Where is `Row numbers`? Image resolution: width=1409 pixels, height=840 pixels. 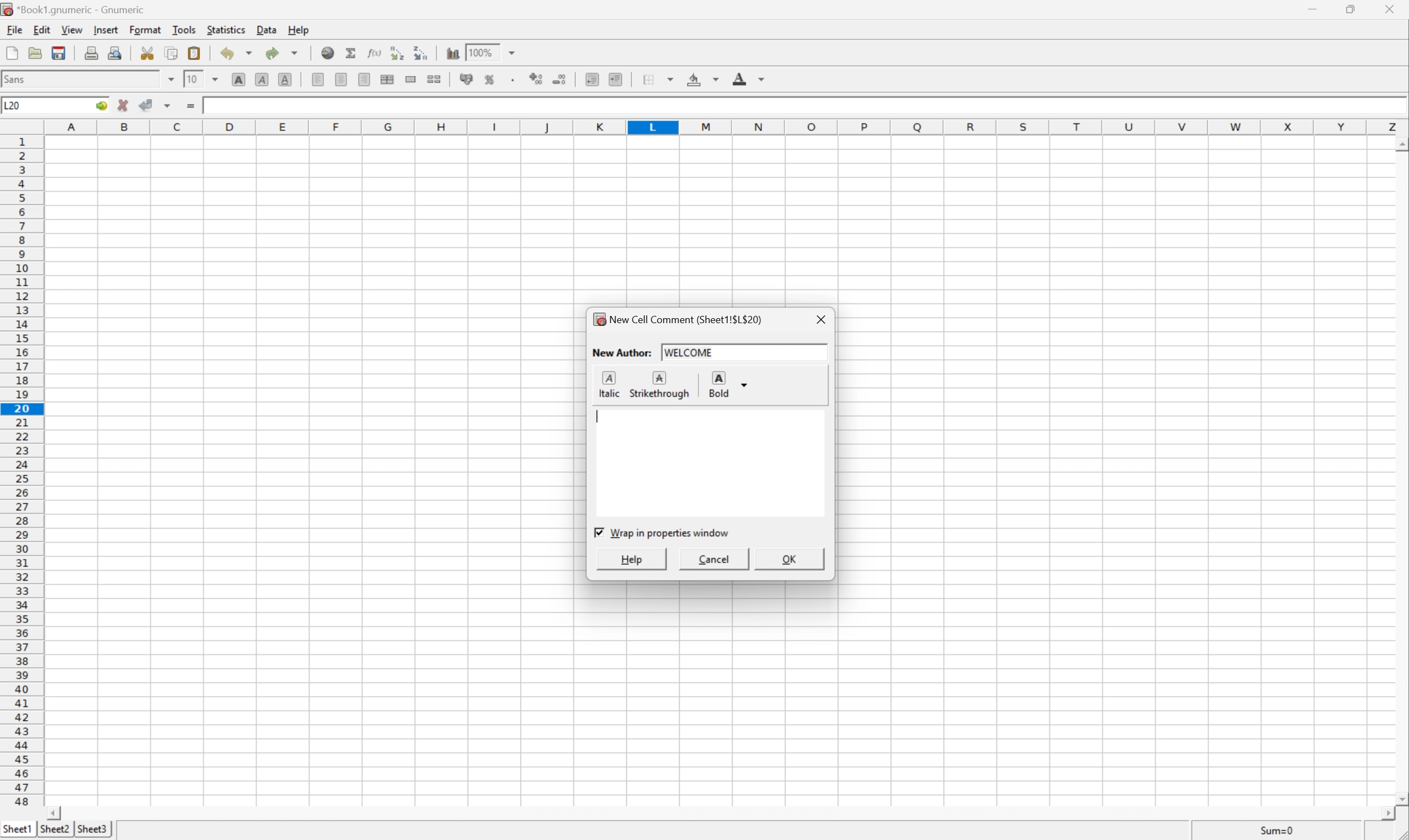
Row numbers is located at coordinates (21, 471).